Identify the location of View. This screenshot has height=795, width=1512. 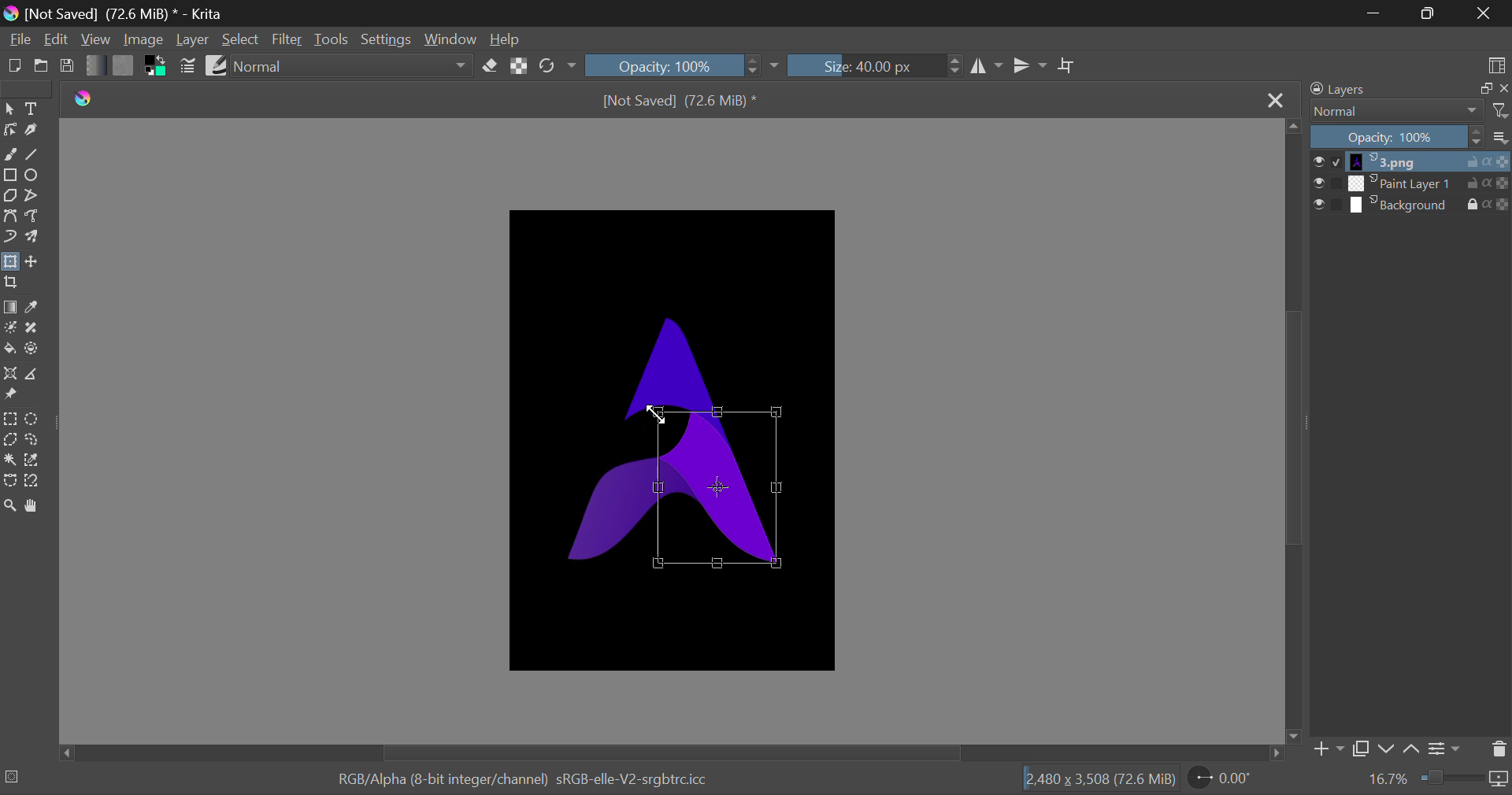
(96, 39).